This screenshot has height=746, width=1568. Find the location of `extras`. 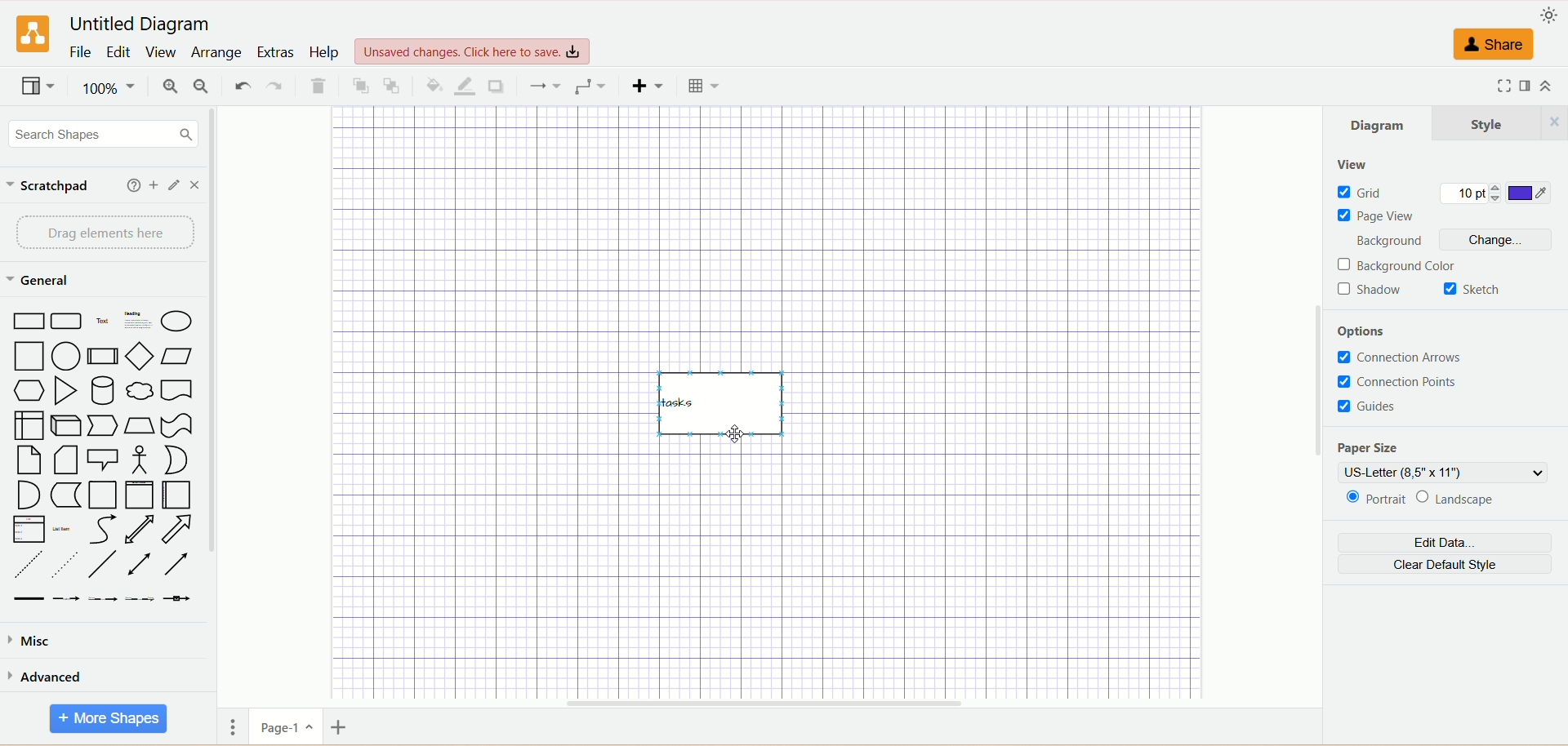

extras is located at coordinates (275, 52).